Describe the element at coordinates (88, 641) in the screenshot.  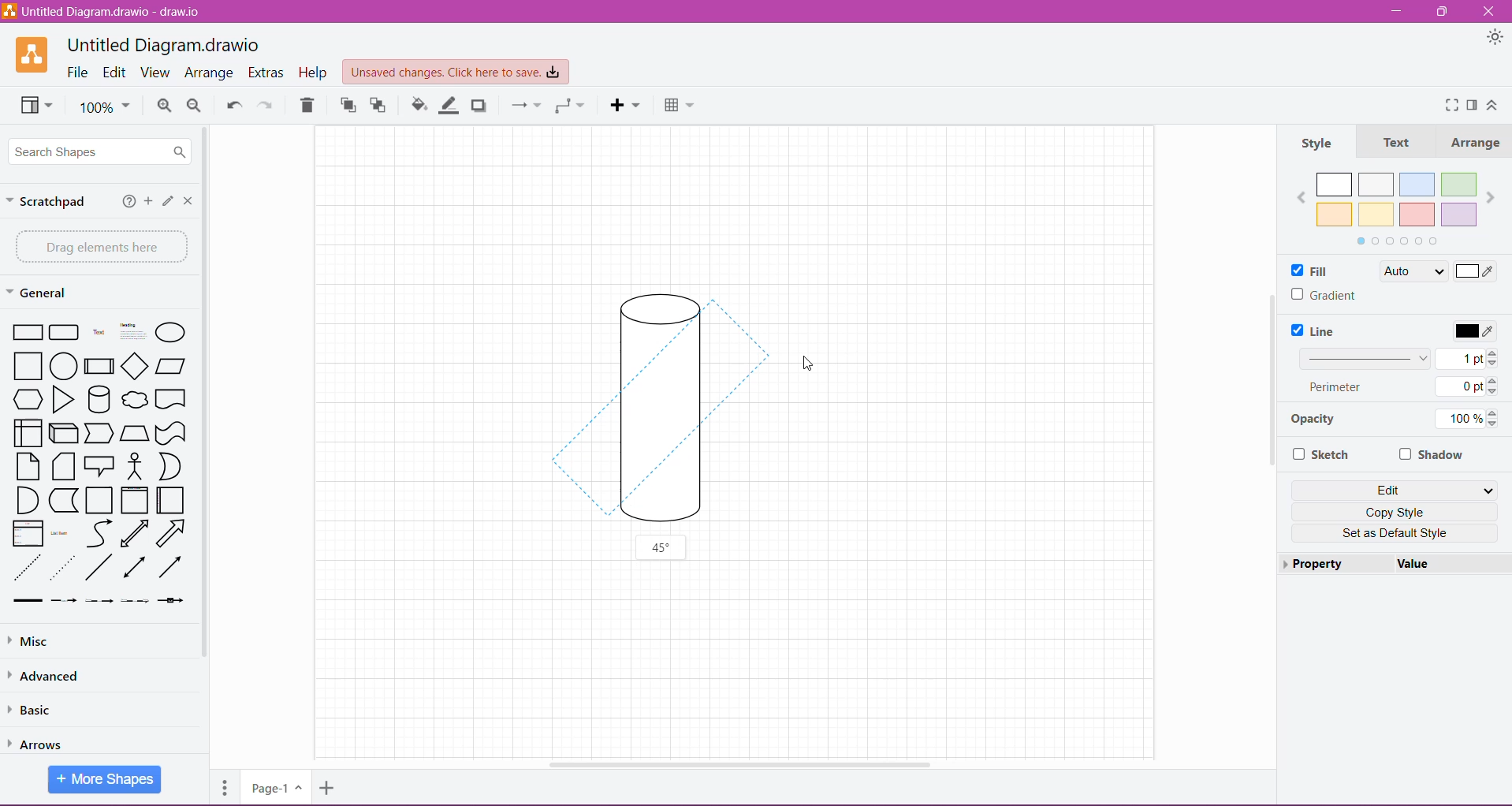
I see `Misc` at that location.